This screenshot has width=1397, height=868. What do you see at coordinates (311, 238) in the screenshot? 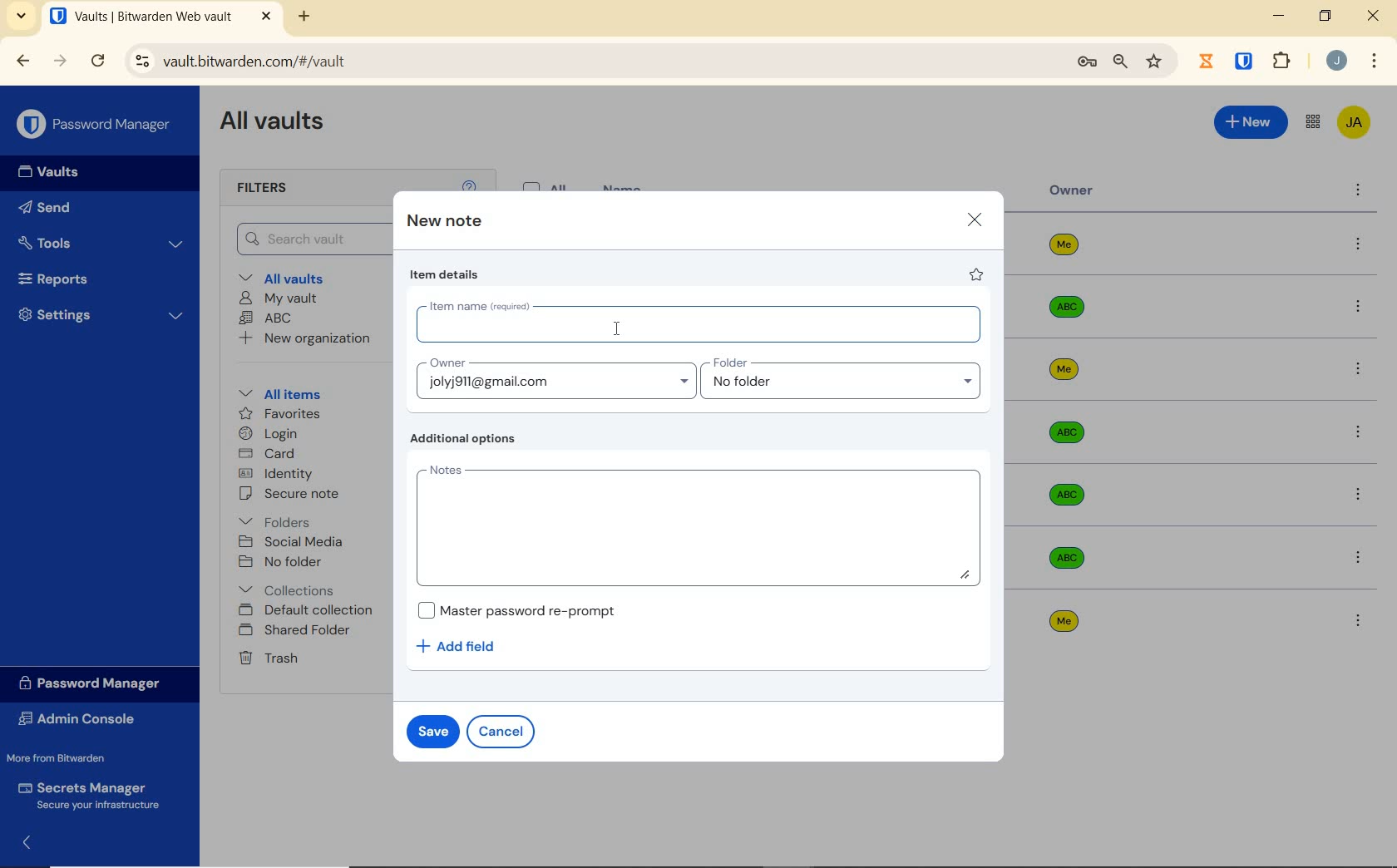
I see `Search Vault` at bounding box center [311, 238].